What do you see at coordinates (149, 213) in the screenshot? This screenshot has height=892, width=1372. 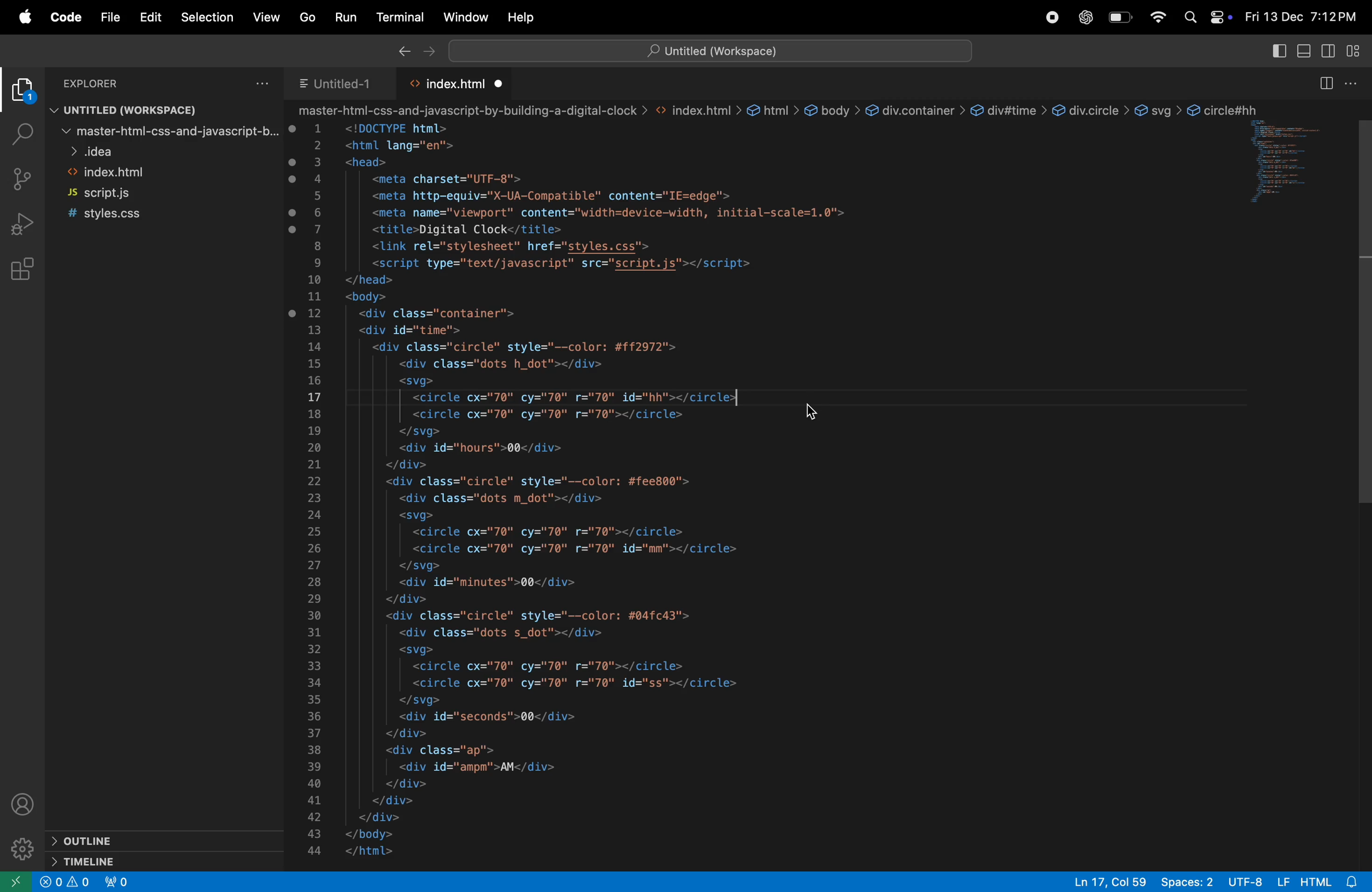 I see `style.css` at bounding box center [149, 213].